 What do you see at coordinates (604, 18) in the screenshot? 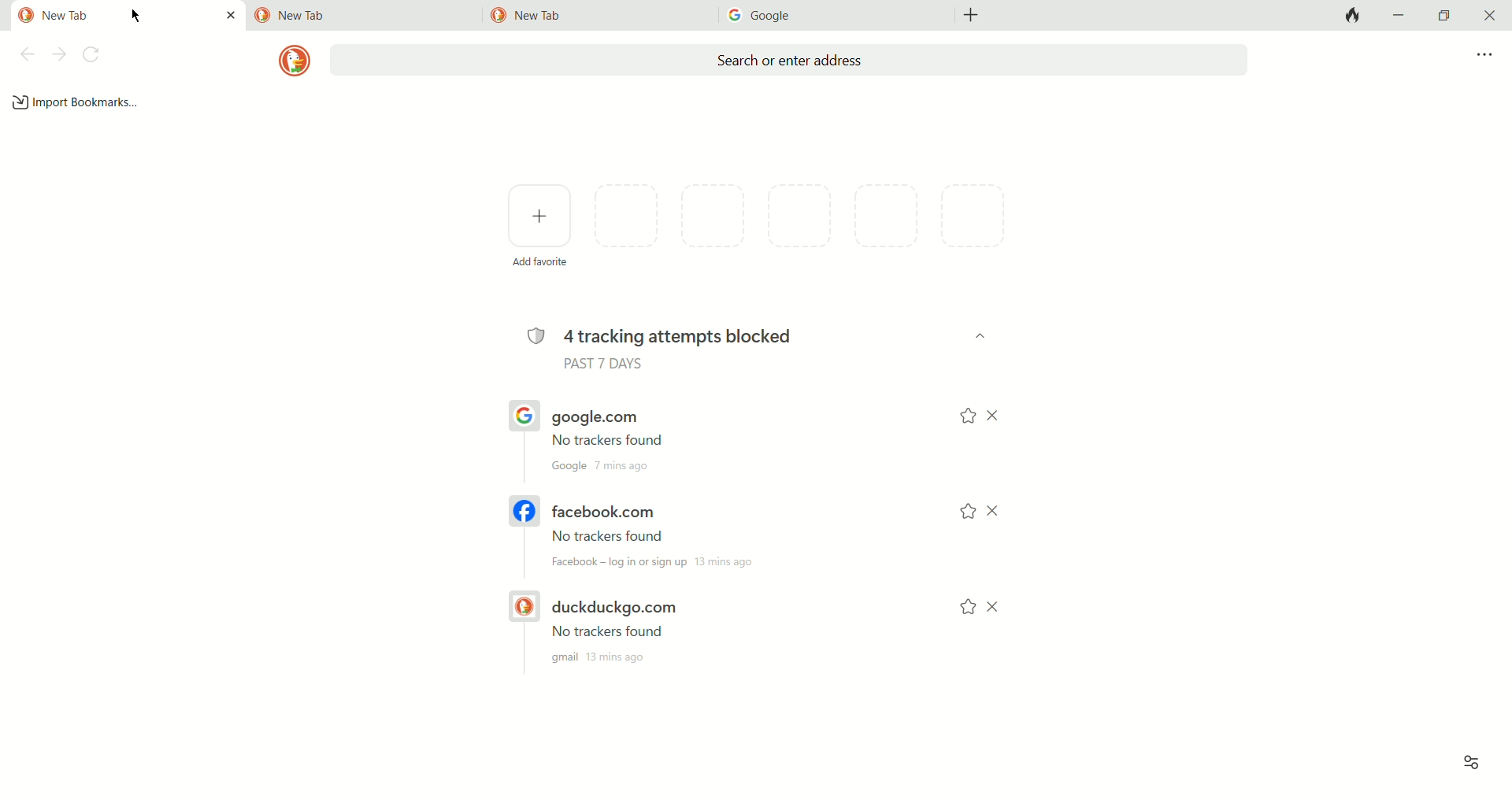
I see `tab2` at bounding box center [604, 18].